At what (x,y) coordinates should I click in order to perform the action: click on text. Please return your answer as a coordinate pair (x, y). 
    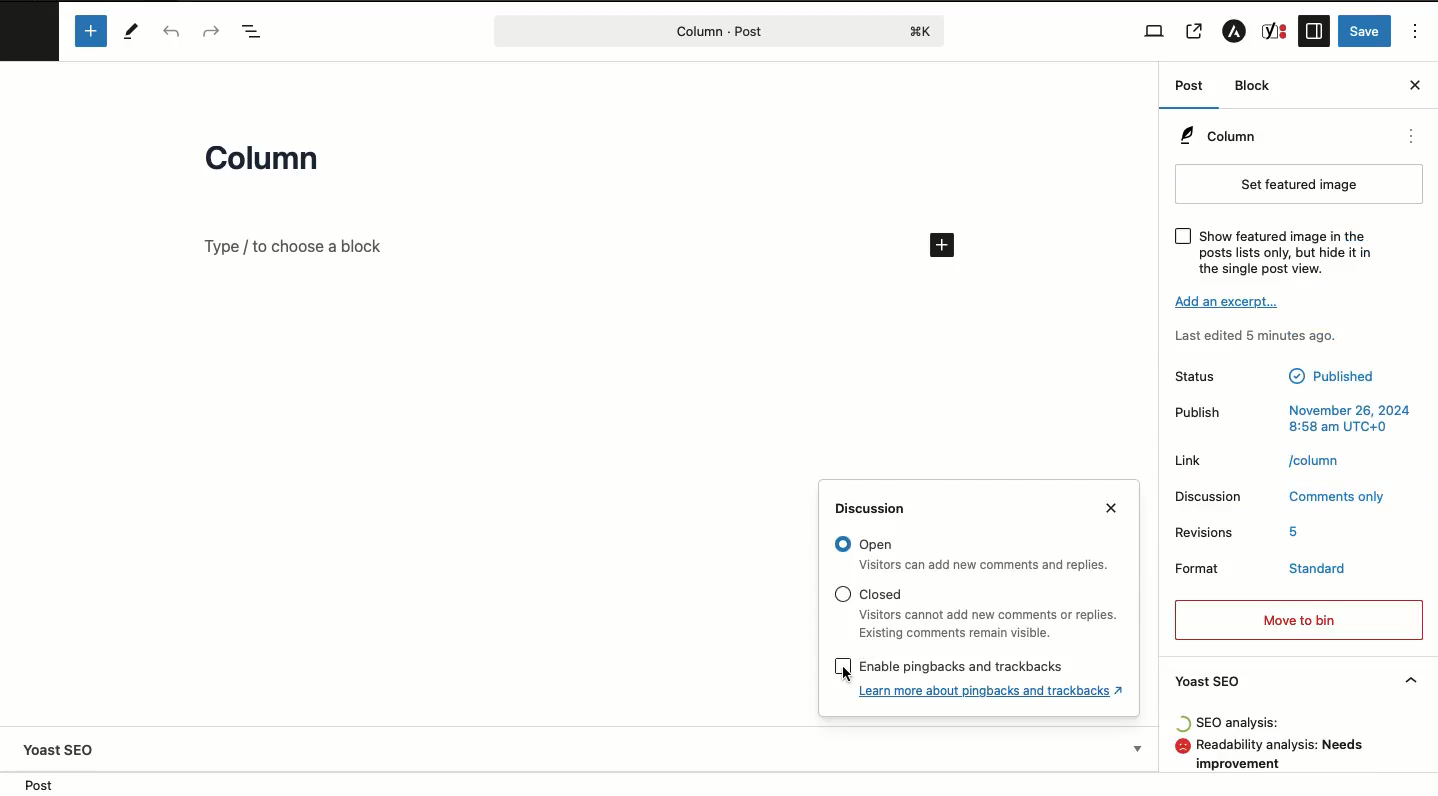
    Looking at the image, I should click on (1240, 723).